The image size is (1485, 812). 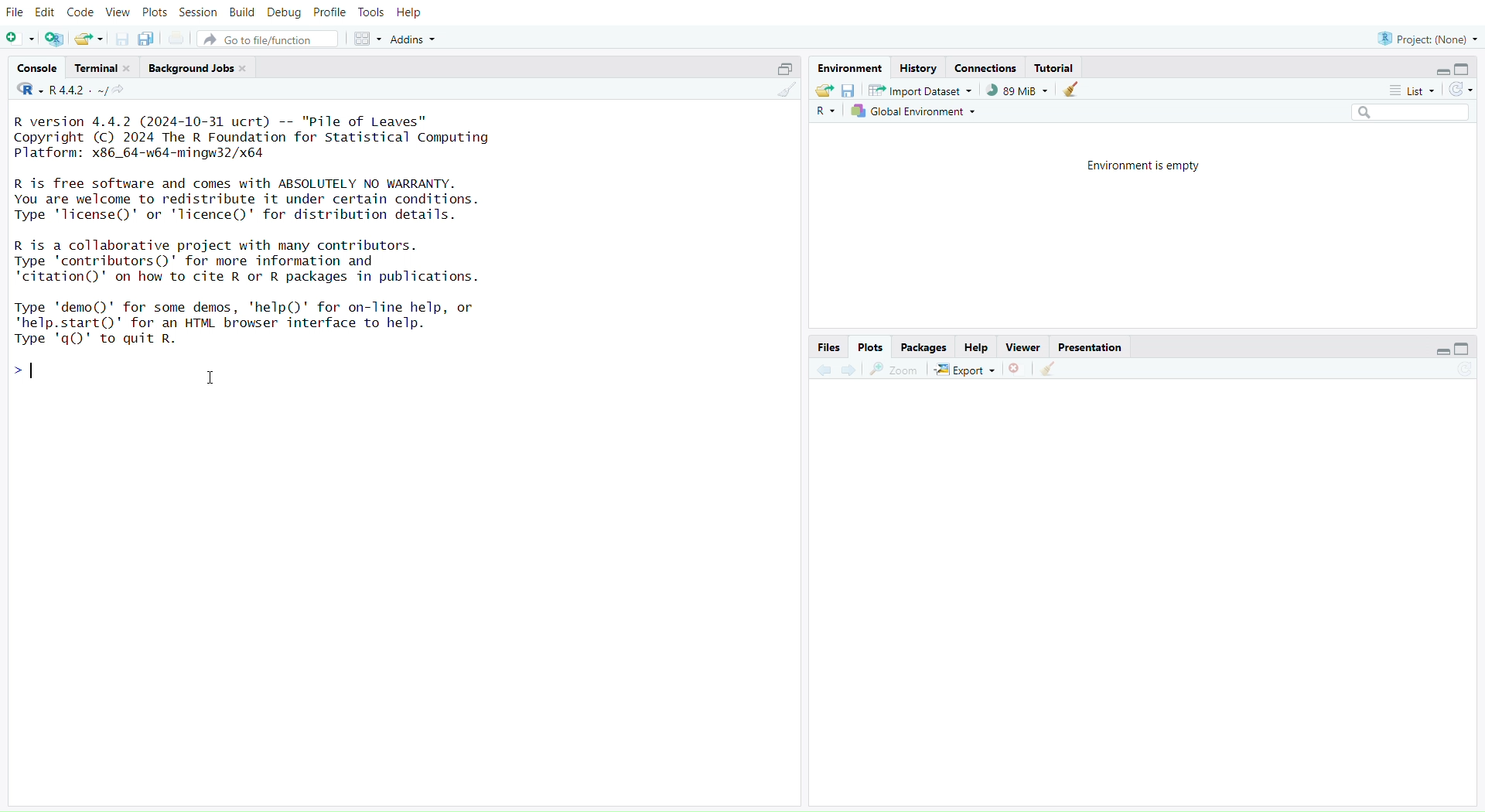 What do you see at coordinates (1016, 90) in the screenshot?
I see `89kib used by R session (Source: Windows System)` at bounding box center [1016, 90].